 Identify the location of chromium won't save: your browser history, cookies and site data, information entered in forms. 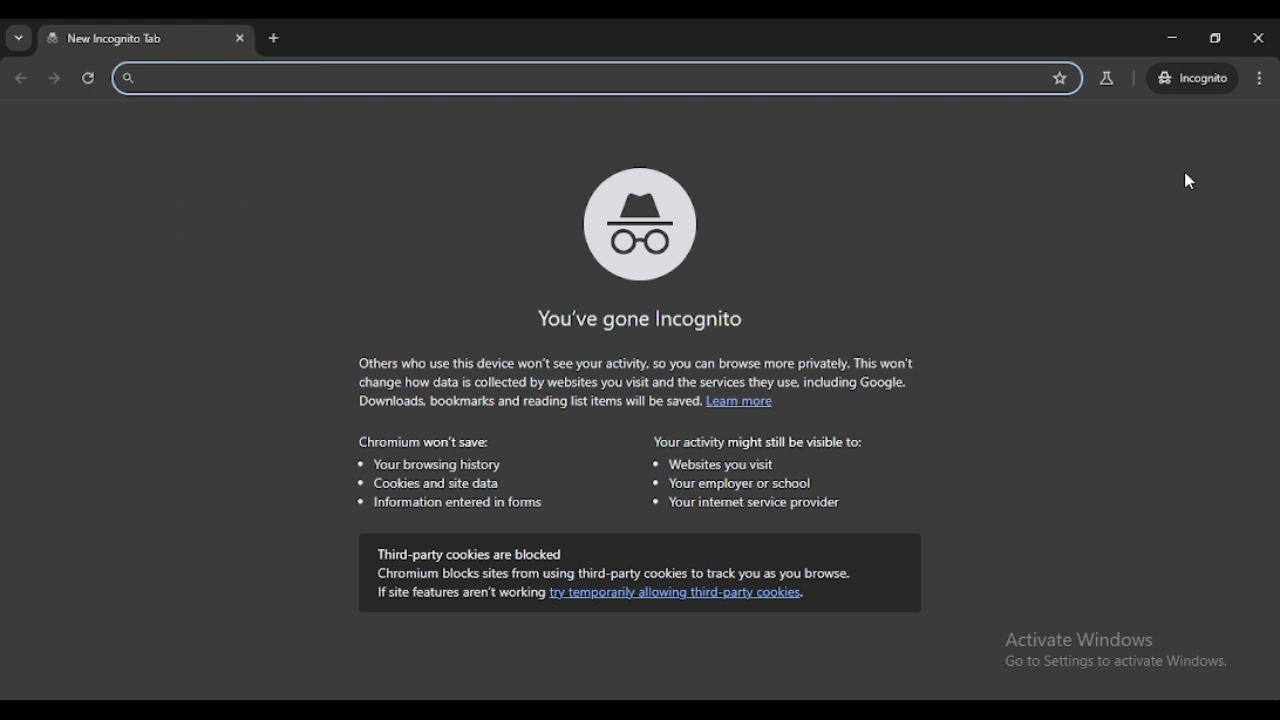
(448, 473).